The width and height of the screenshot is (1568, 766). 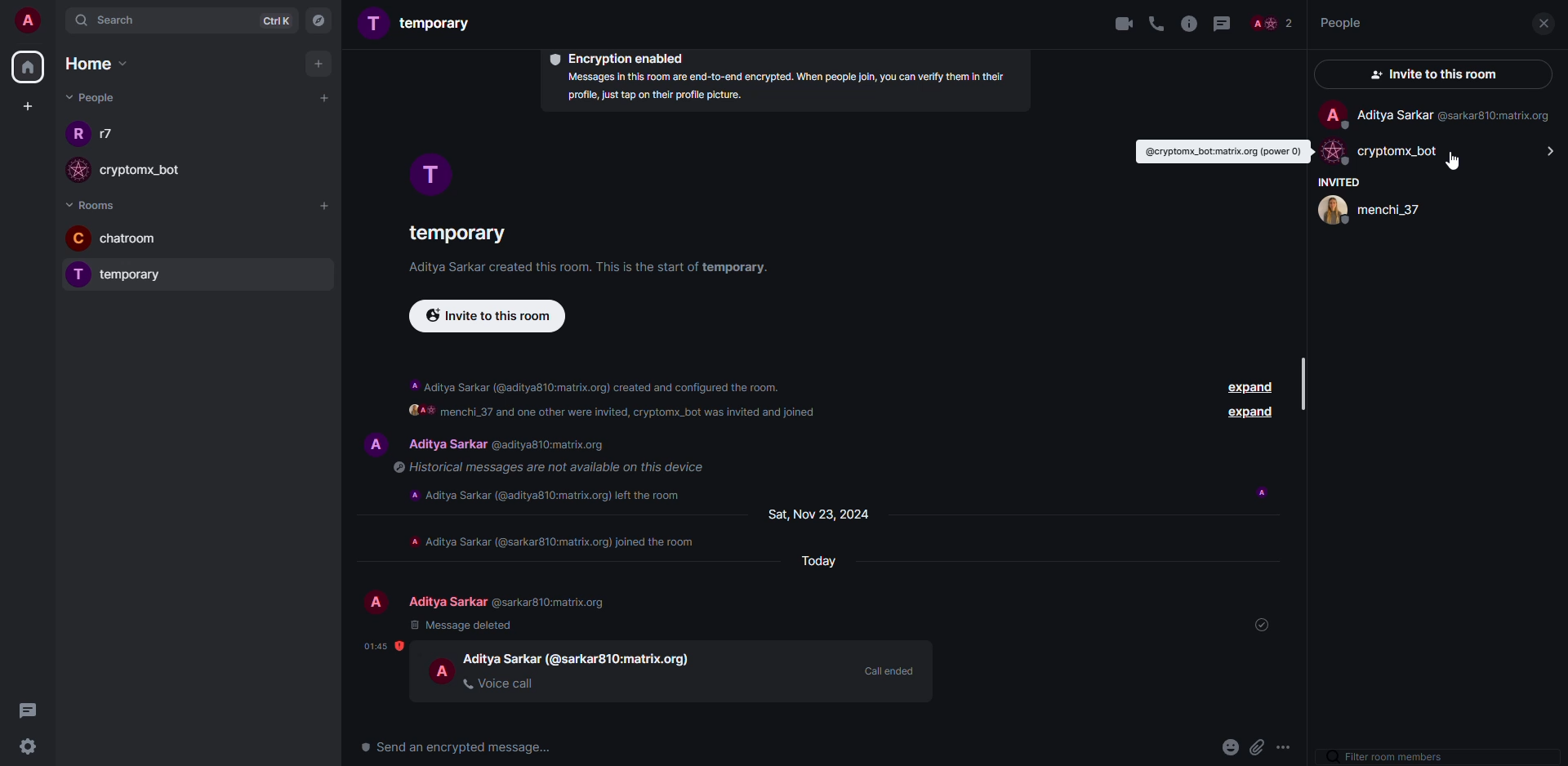 What do you see at coordinates (1433, 73) in the screenshot?
I see `invite to this room` at bounding box center [1433, 73].